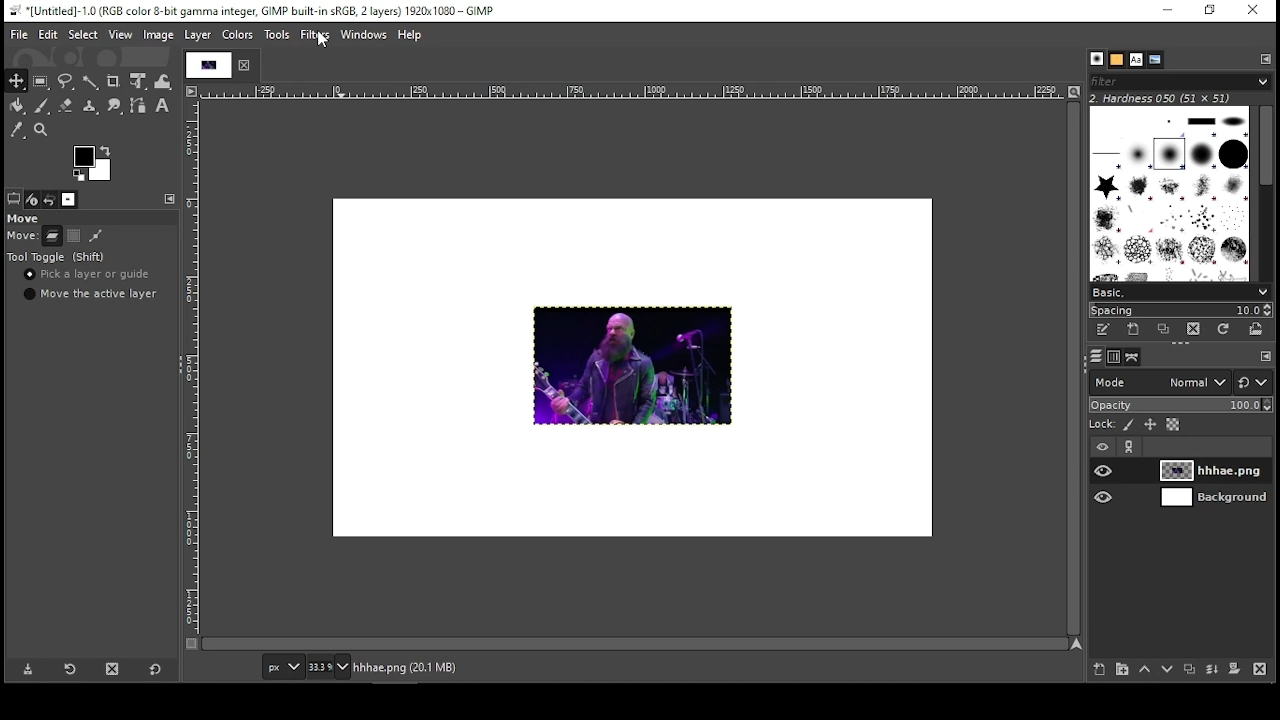 This screenshot has height=720, width=1280. What do you see at coordinates (237, 35) in the screenshot?
I see `colors` at bounding box center [237, 35].